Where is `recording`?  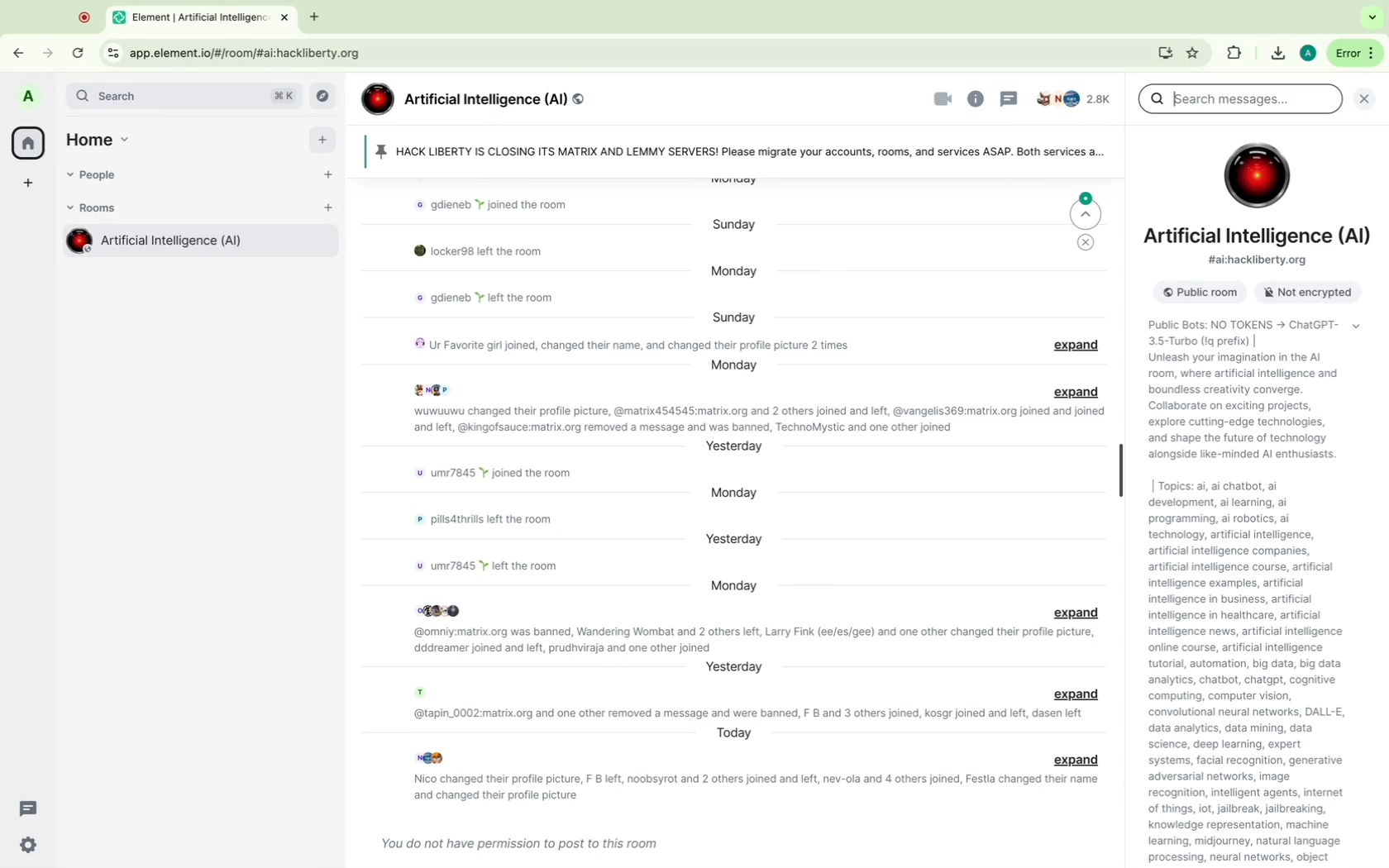
recording is located at coordinates (85, 17).